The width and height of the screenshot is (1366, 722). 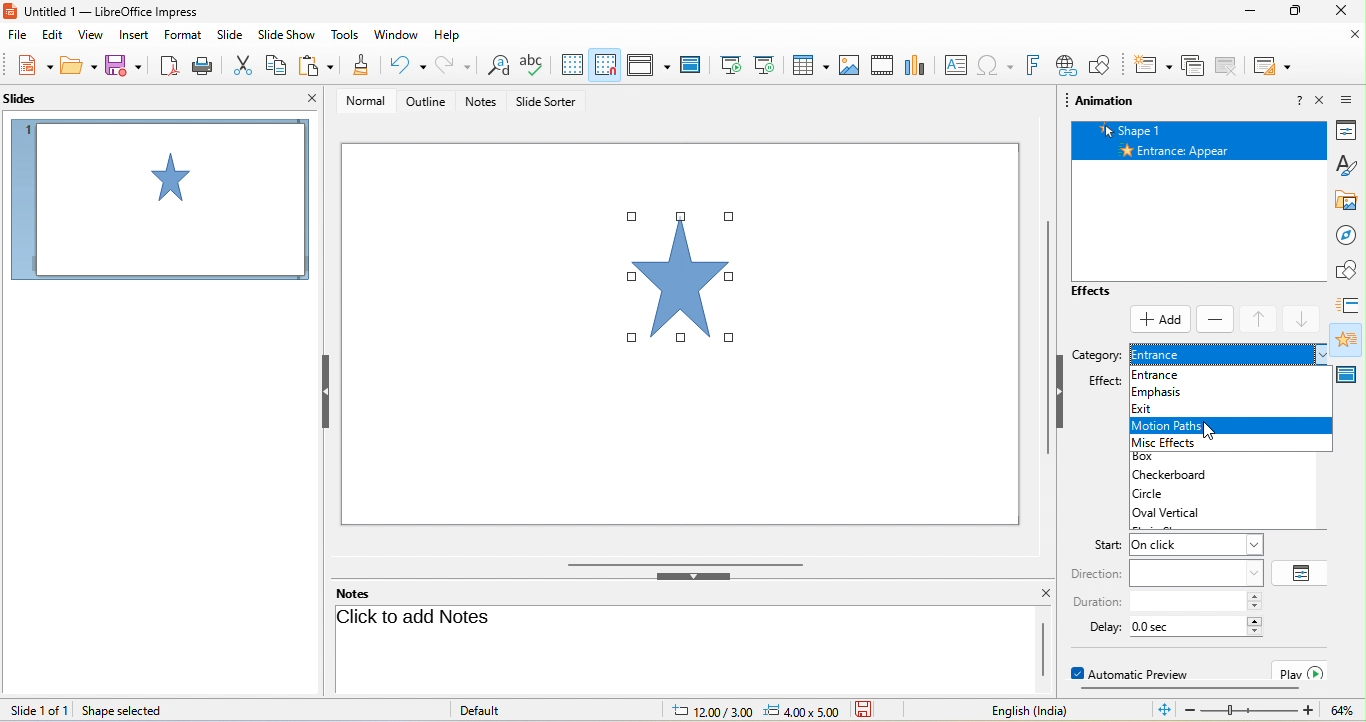 What do you see at coordinates (1159, 457) in the screenshot?
I see `box` at bounding box center [1159, 457].